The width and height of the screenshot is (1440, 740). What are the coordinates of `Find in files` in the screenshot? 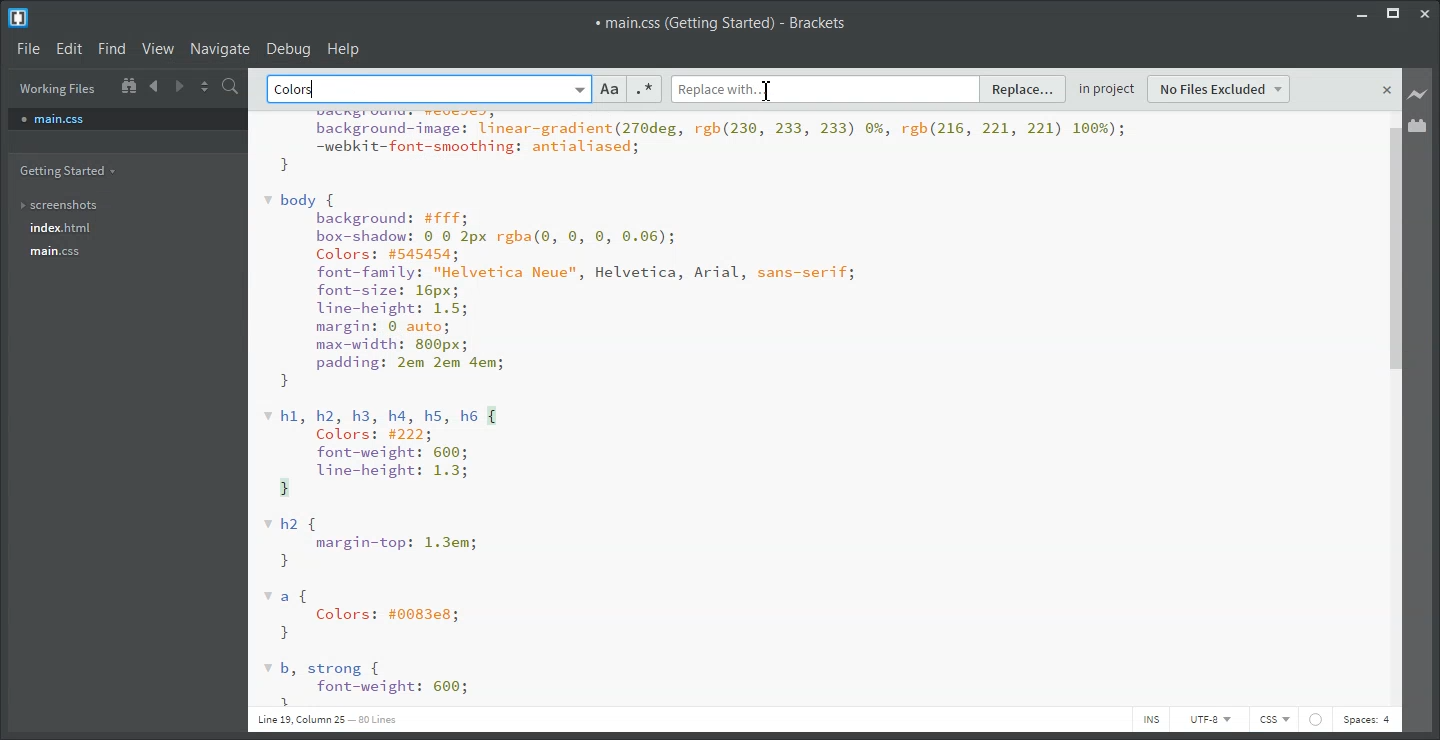 It's located at (232, 86).